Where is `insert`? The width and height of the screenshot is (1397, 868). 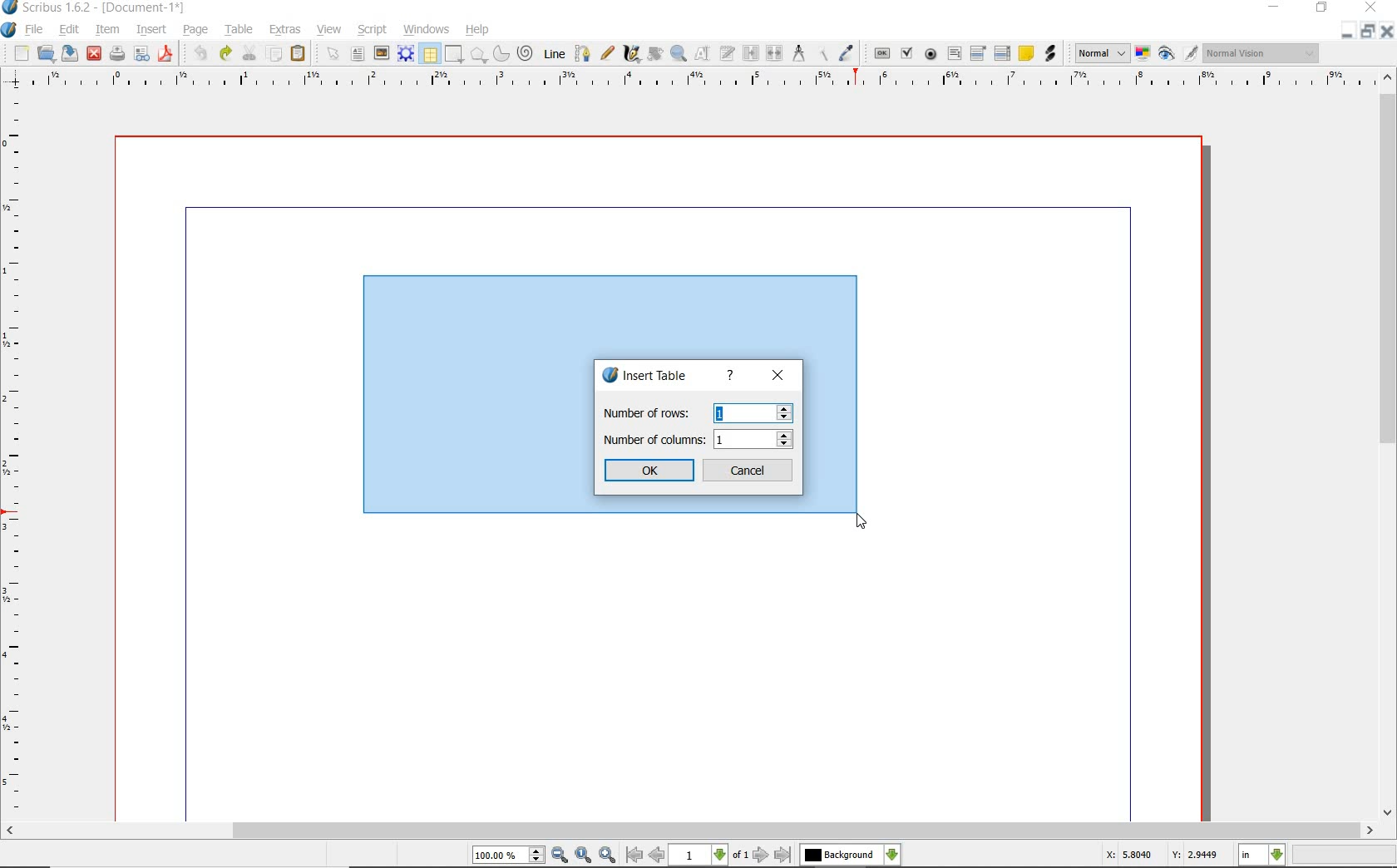 insert is located at coordinates (150, 31).